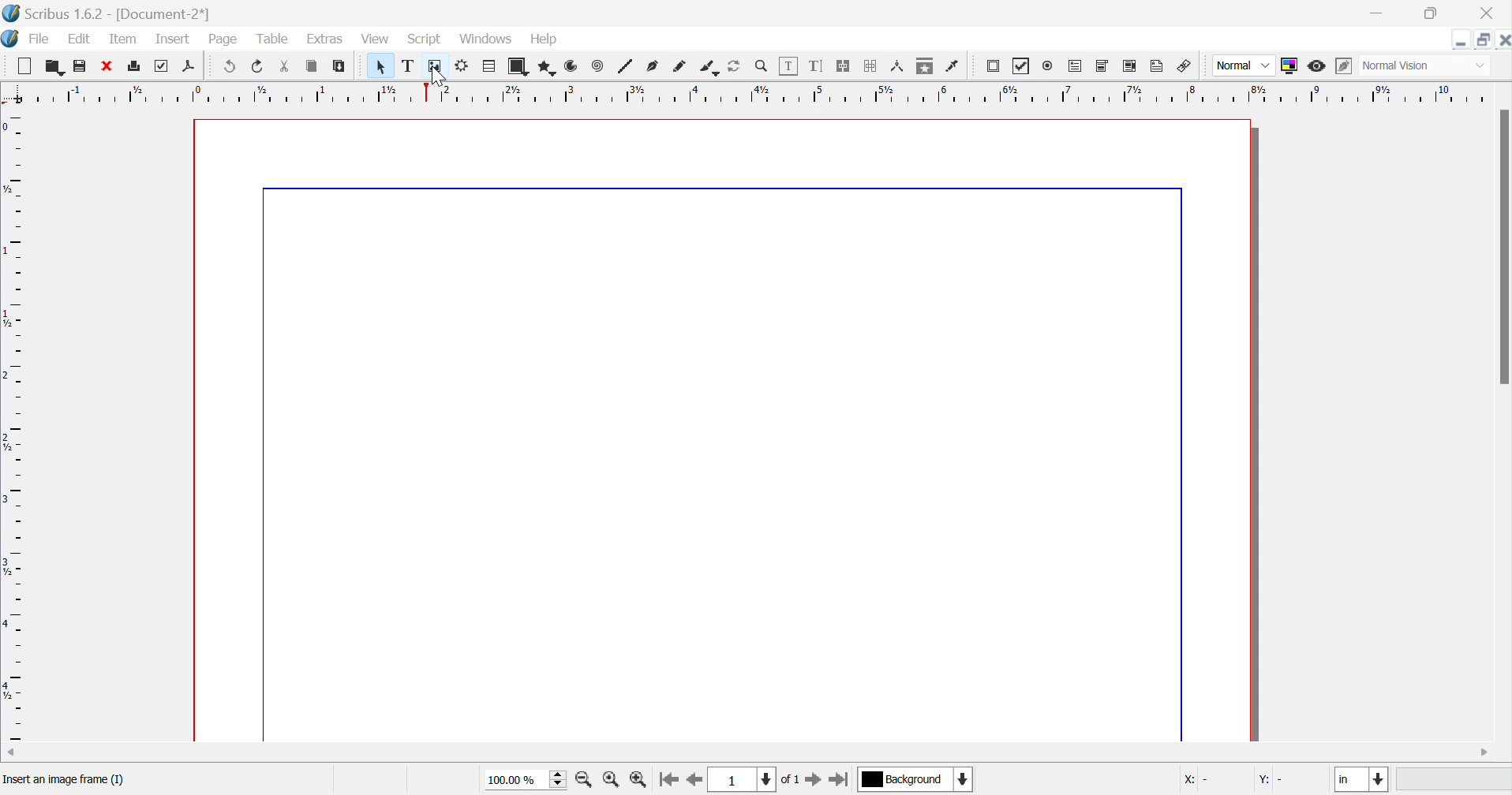 The width and height of the screenshot is (1512, 795). I want to click on table, so click(275, 39).